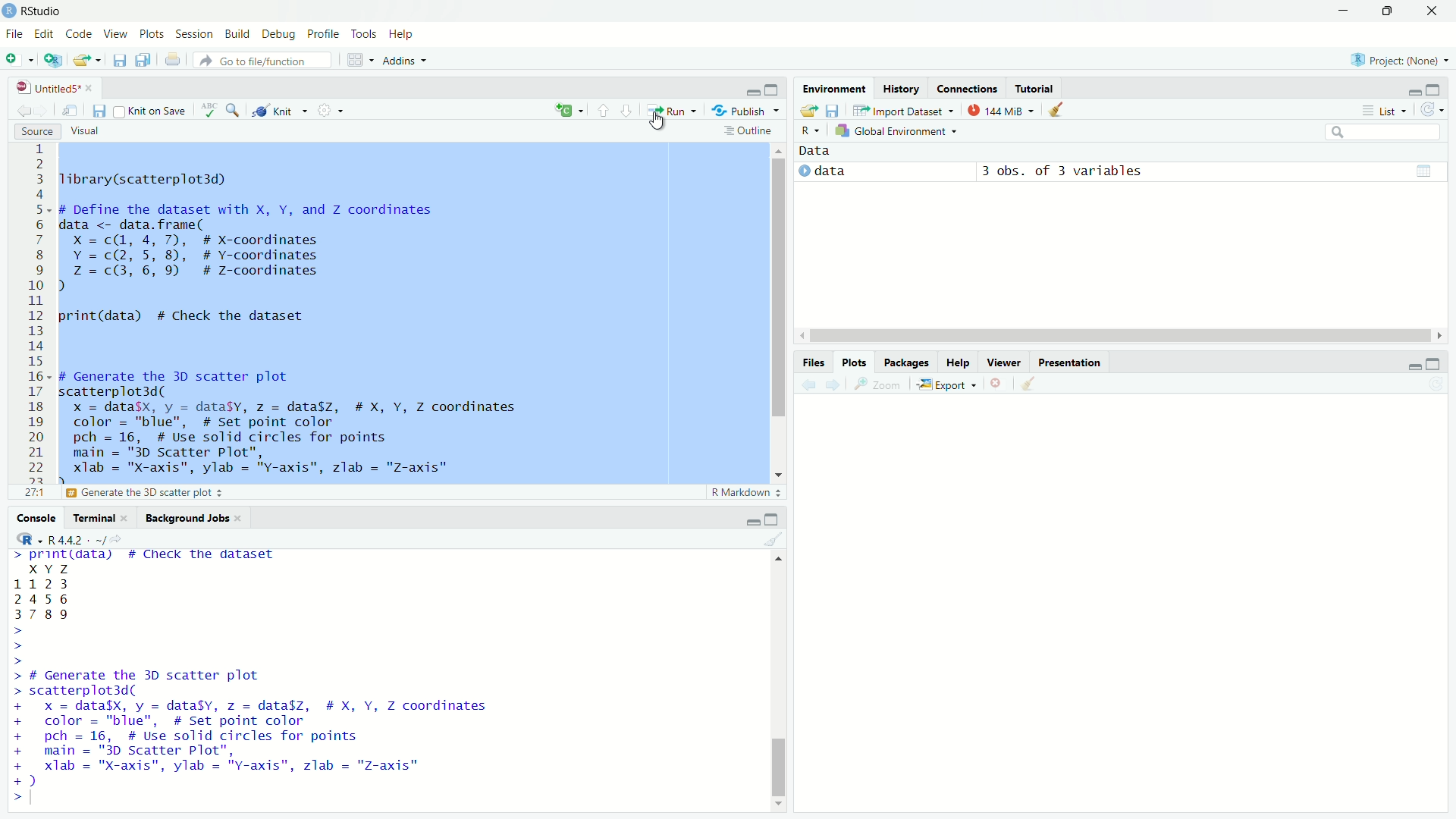 The height and width of the screenshot is (819, 1456). Describe the element at coordinates (97, 111) in the screenshot. I see `save current document` at that location.